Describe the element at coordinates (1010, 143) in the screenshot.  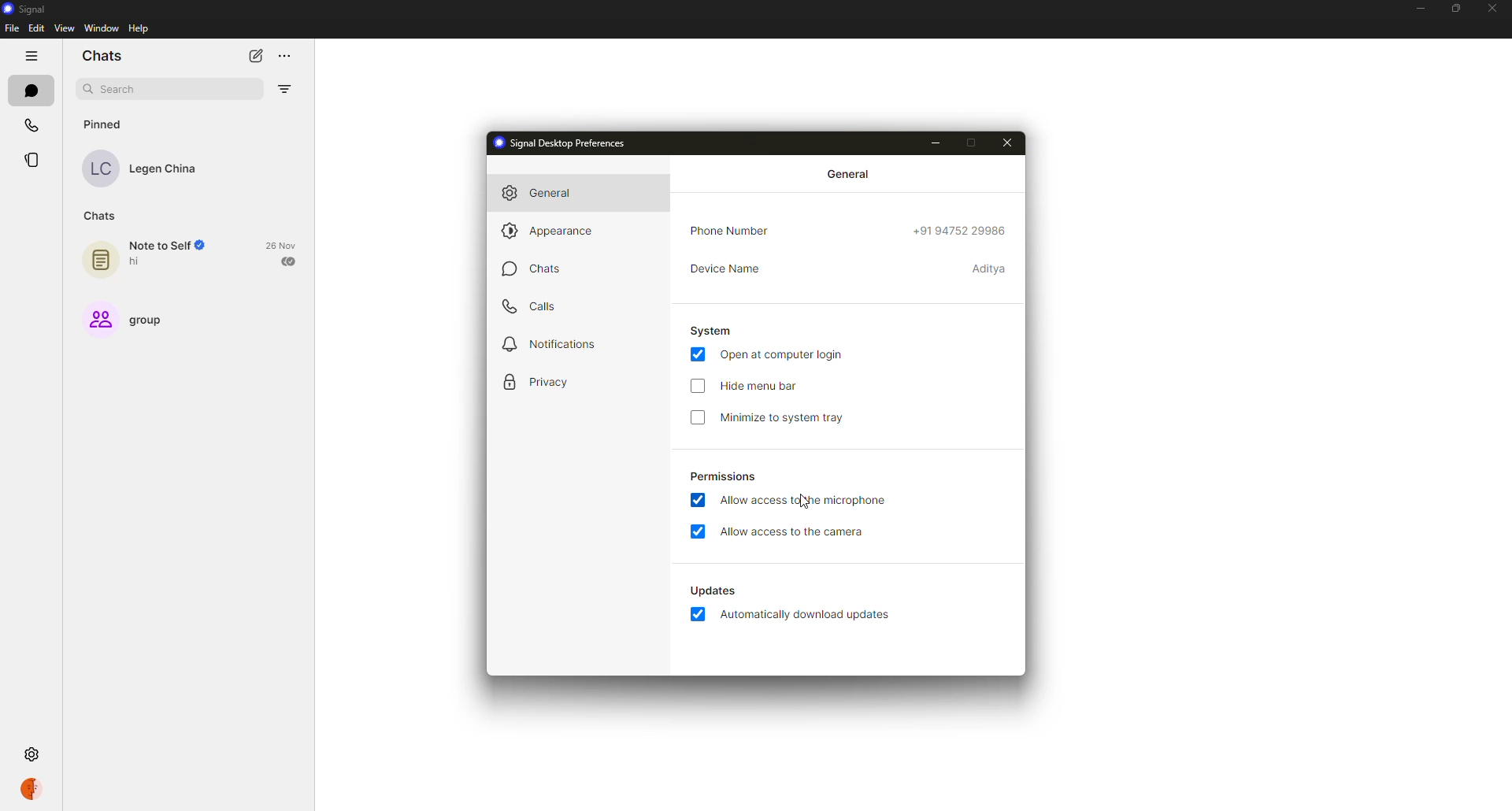
I see `close` at that location.